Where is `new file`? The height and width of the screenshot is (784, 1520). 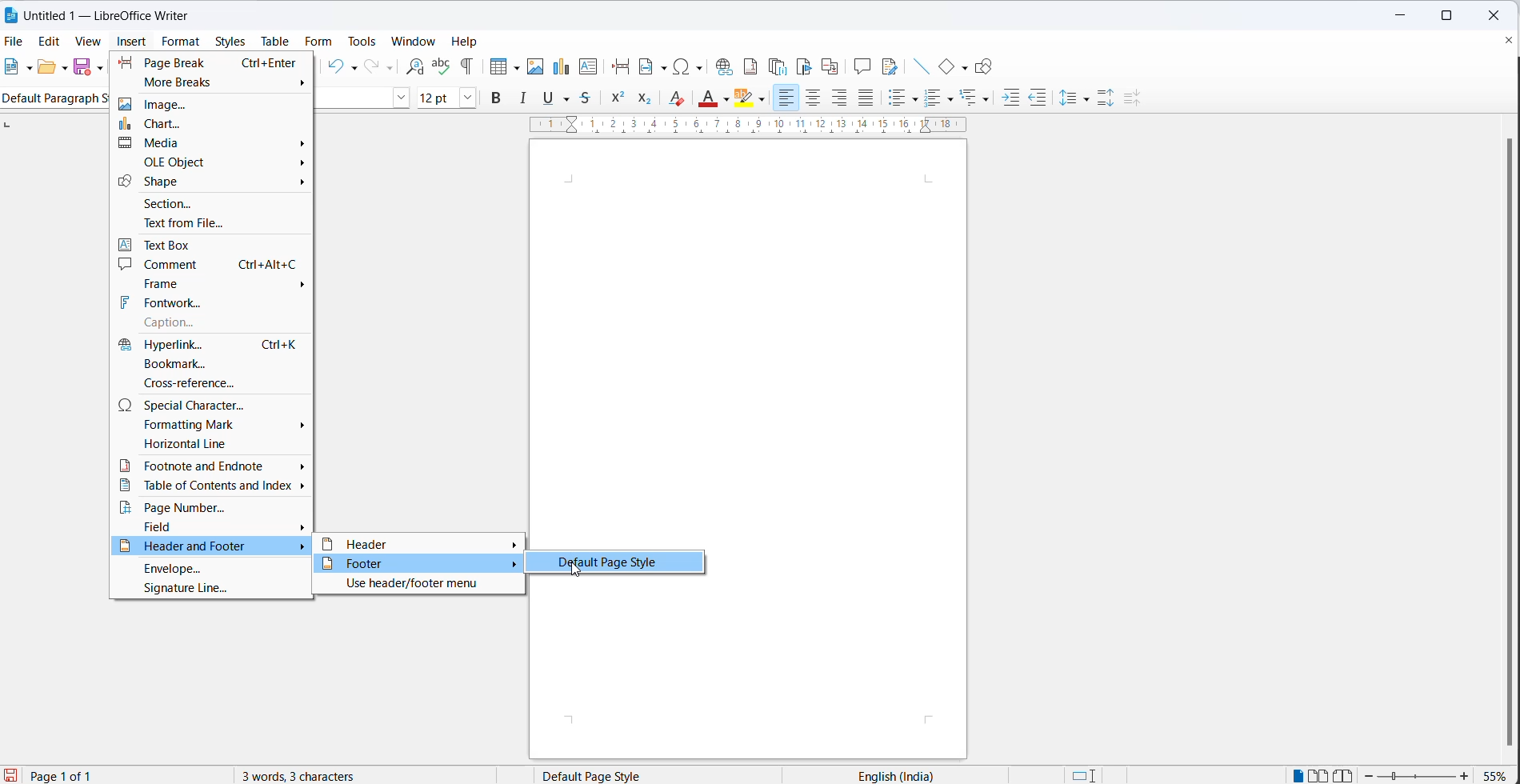 new file is located at coordinates (12, 68).